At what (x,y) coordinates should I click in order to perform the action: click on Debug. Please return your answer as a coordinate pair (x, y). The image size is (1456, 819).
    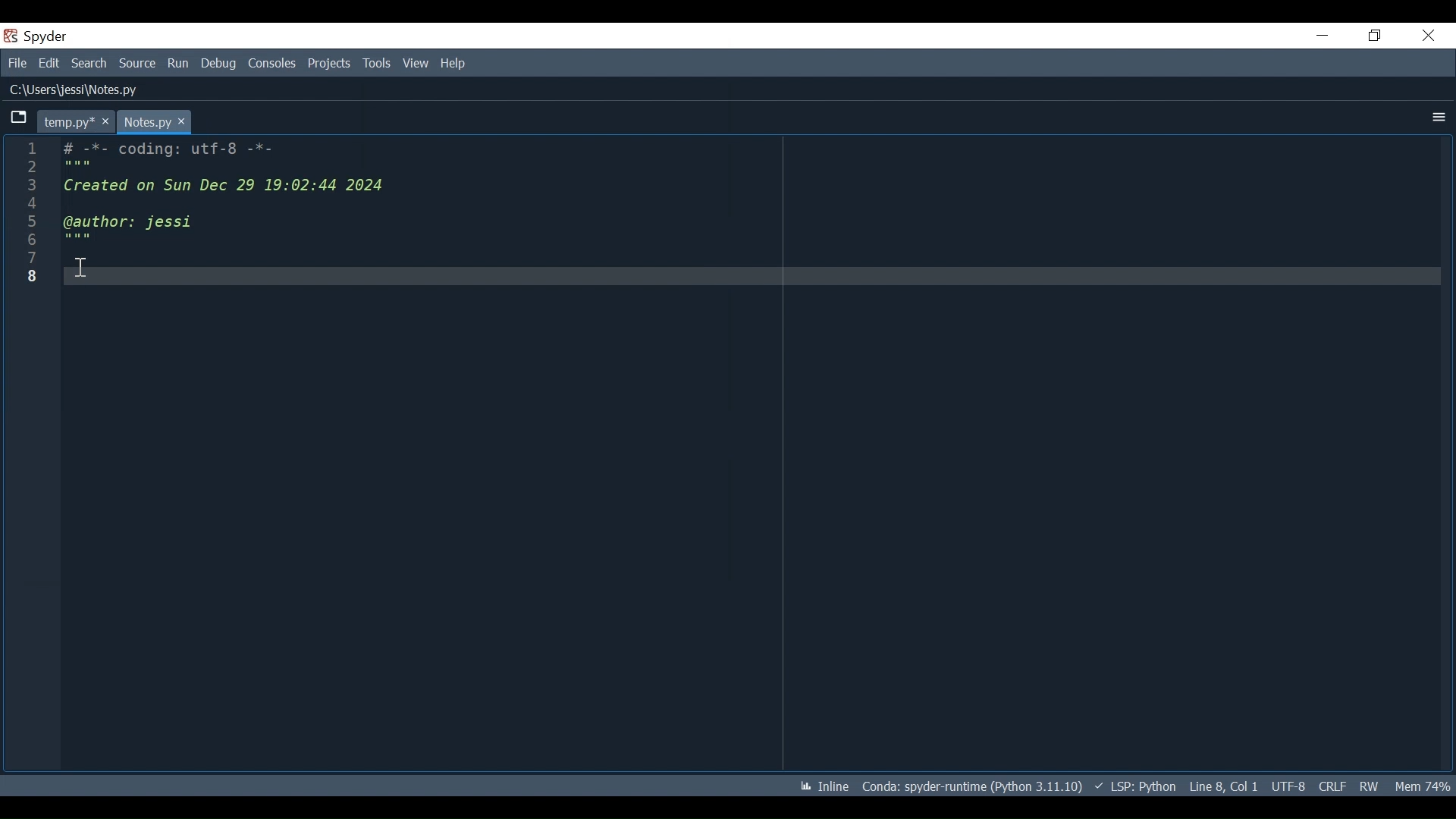
    Looking at the image, I should click on (219, 64).